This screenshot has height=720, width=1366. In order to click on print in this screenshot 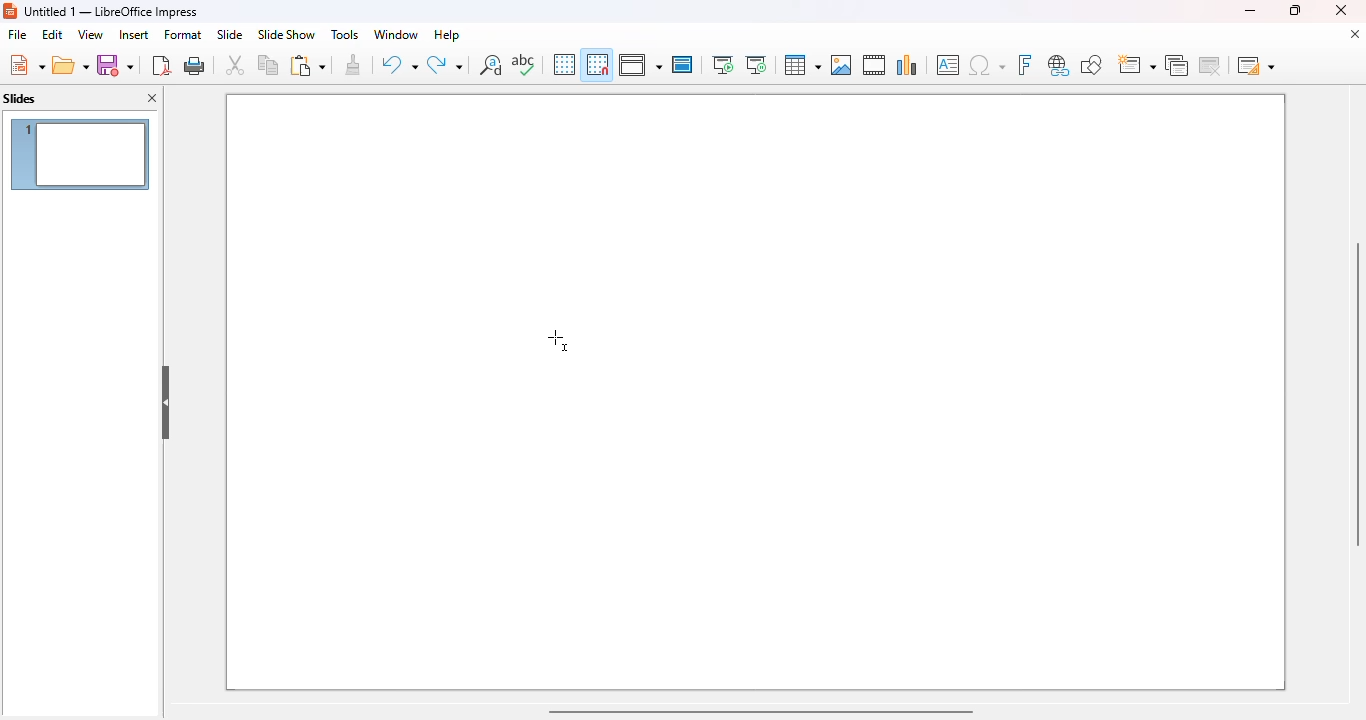, I will do `click(196, 65)`.